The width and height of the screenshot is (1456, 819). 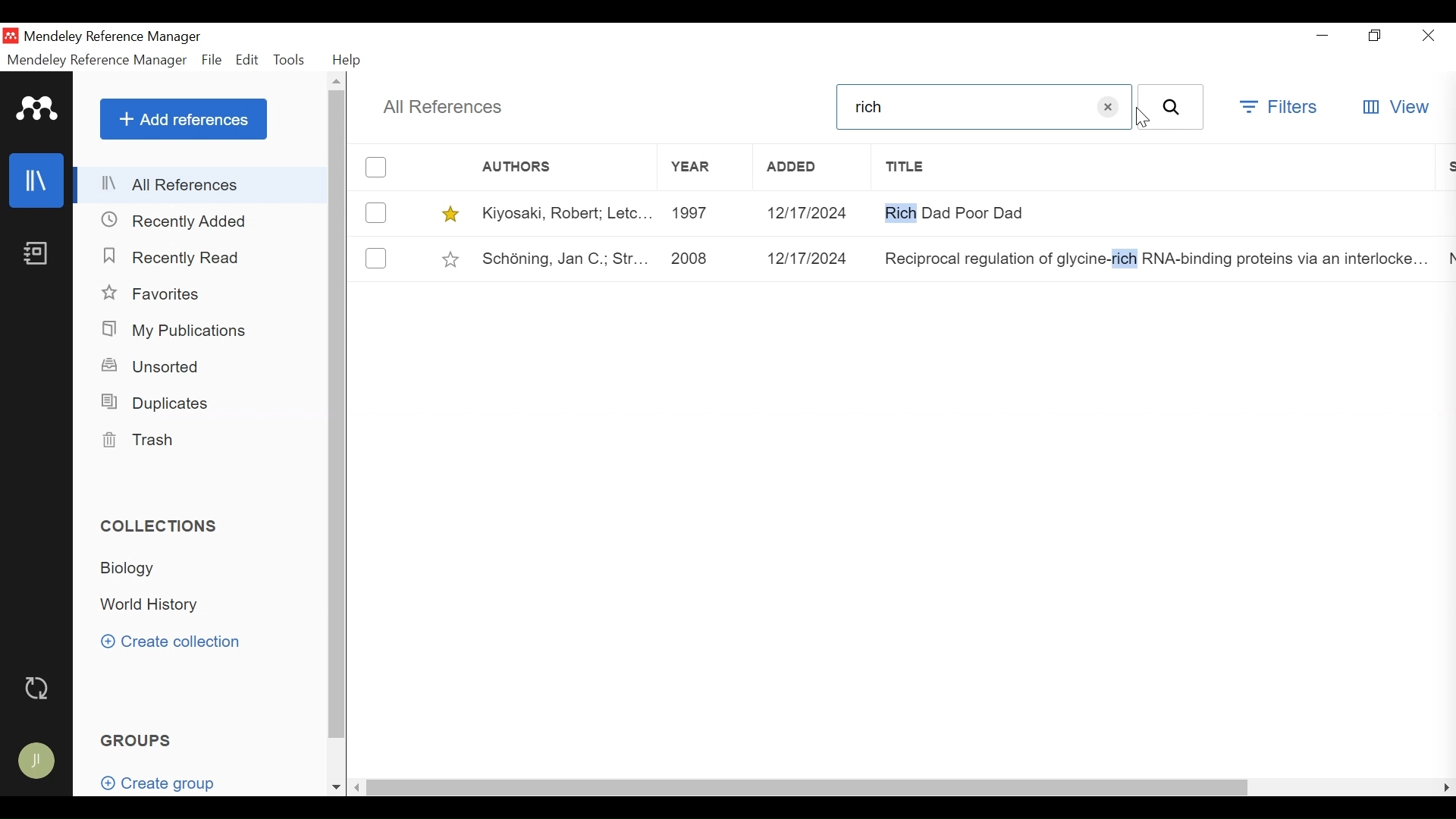 I want to click on Favorites, so click(x=158, y=293).